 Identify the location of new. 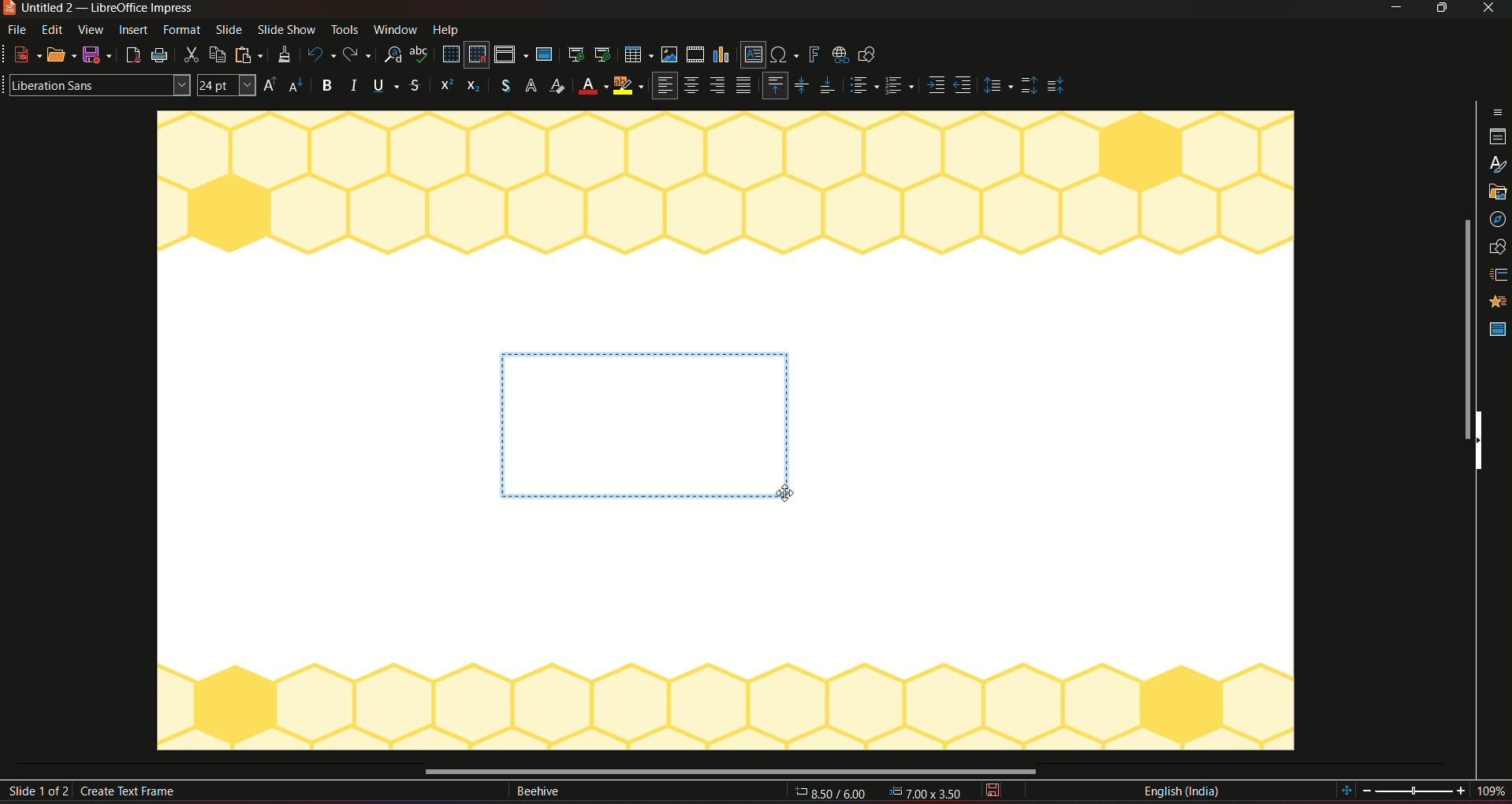
(24, 55).